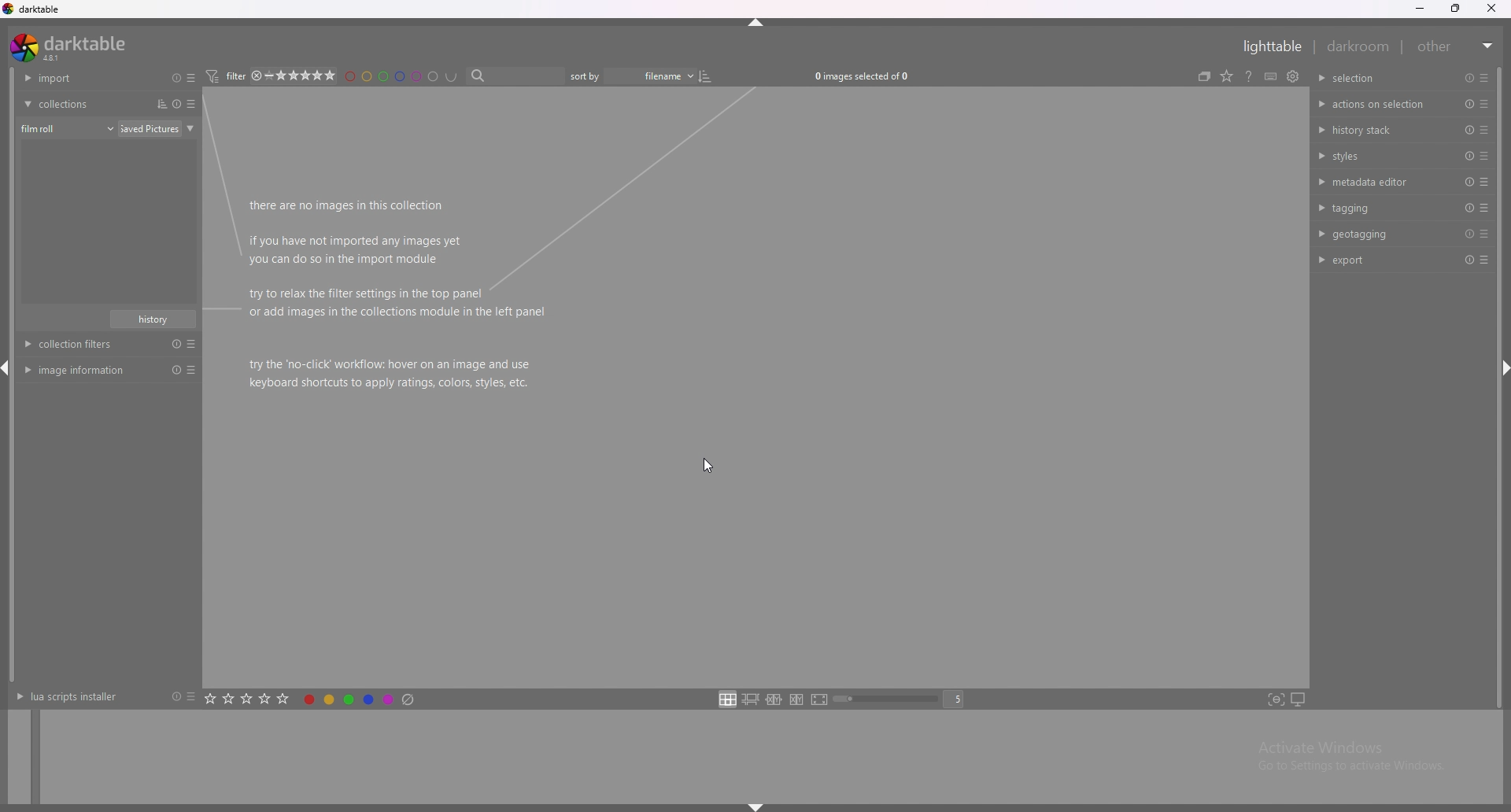  I want to click on tagging, so click(1380, 207).